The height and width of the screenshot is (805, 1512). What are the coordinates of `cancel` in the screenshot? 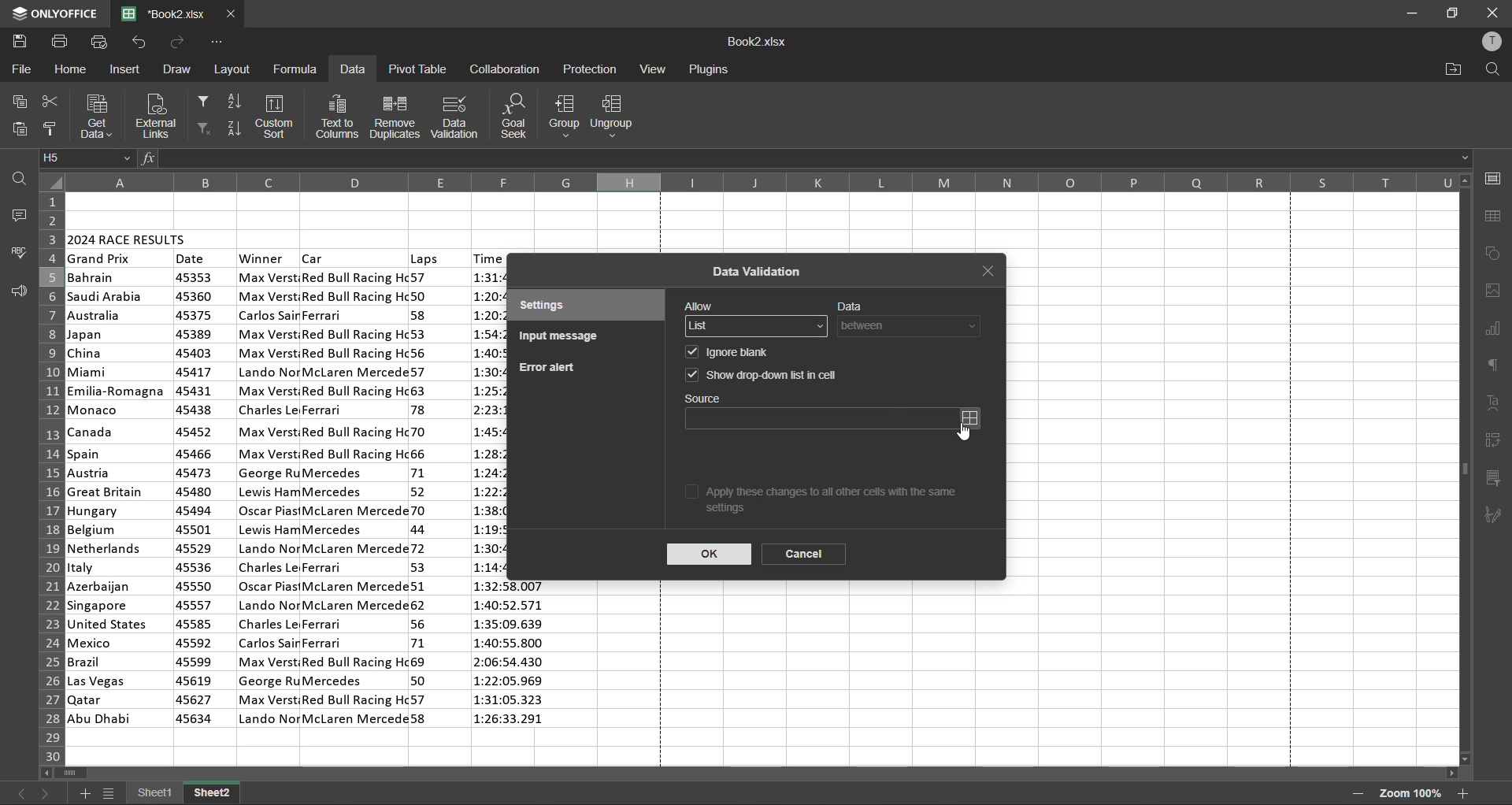 It's located at (803, 555).